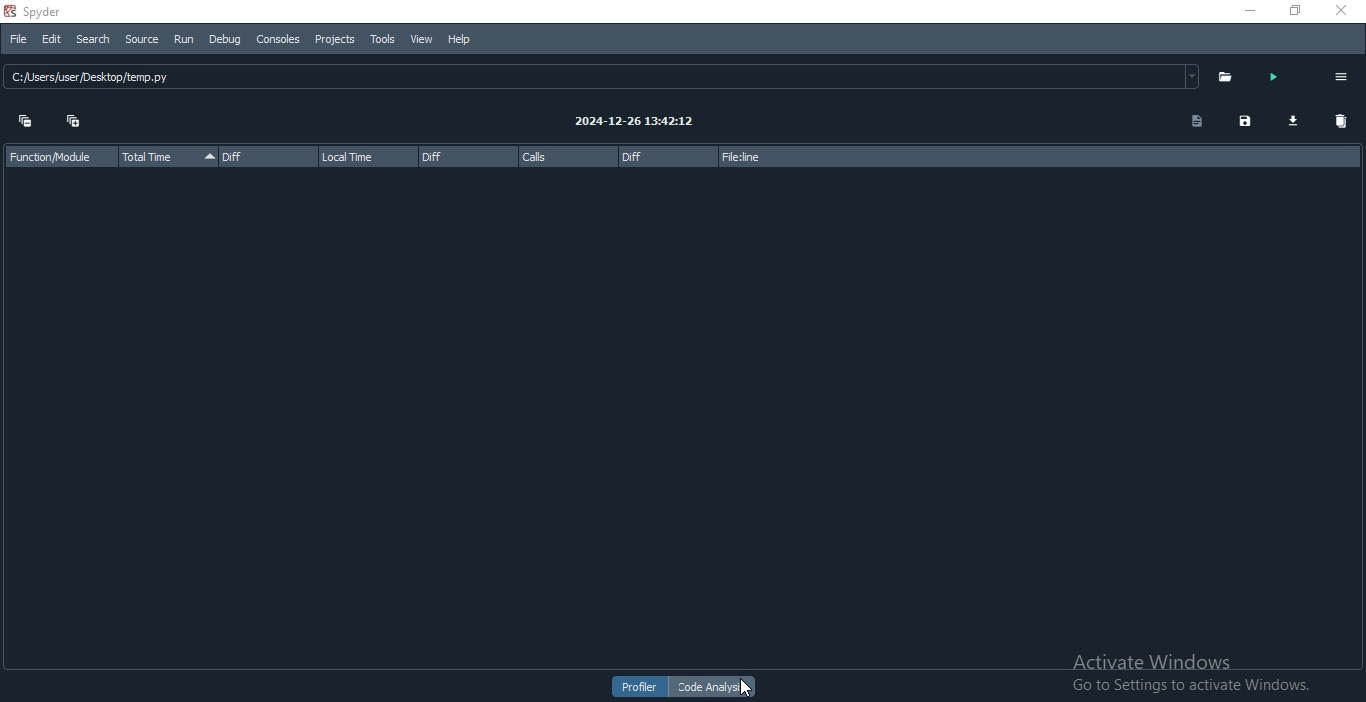 The width and height of the screenshot is (1366, 702). Describe the element at coordinates (790, 154) in the screenshot. I see `file:ine` at that location.